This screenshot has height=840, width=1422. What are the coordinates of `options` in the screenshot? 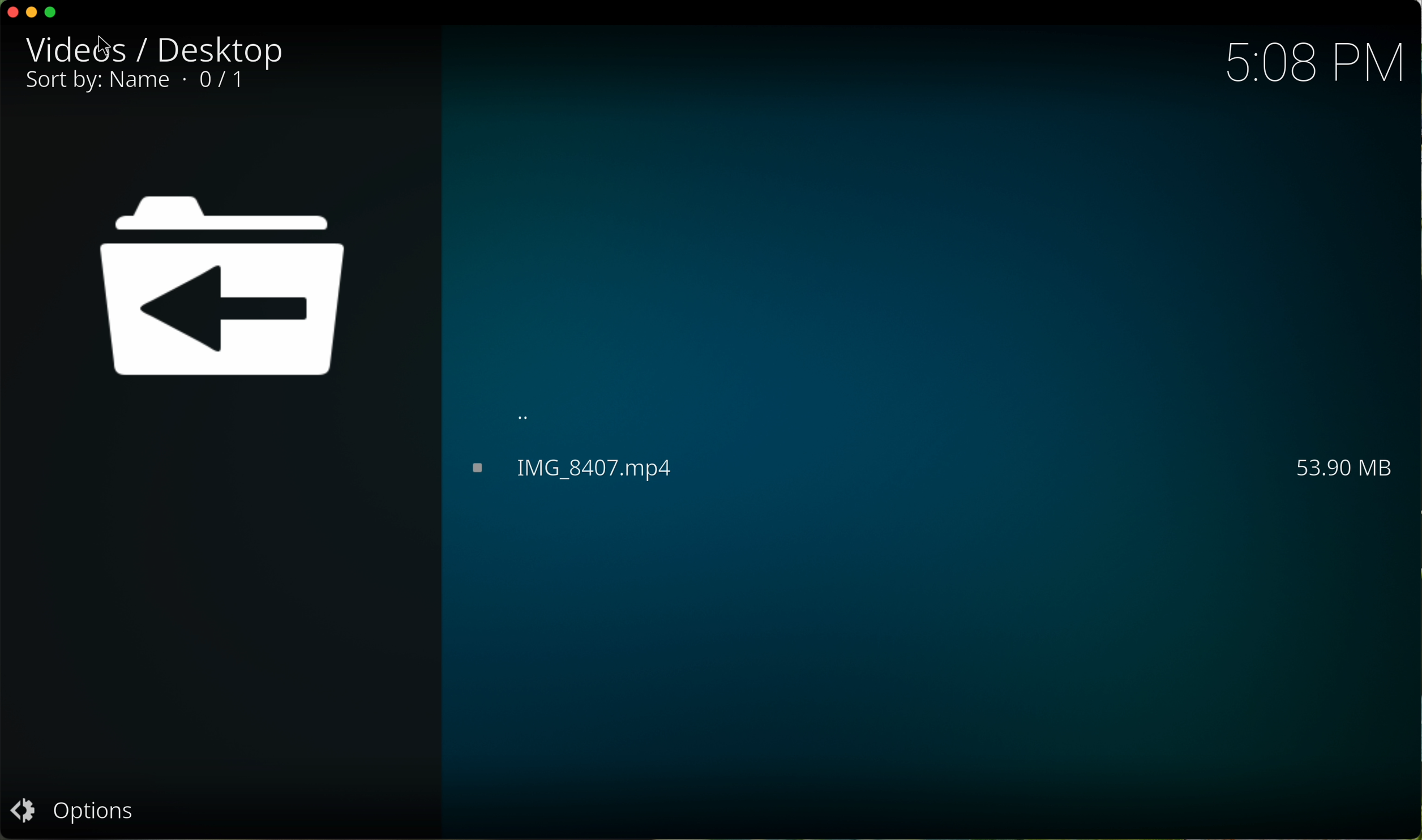 It's located at (75, 809).